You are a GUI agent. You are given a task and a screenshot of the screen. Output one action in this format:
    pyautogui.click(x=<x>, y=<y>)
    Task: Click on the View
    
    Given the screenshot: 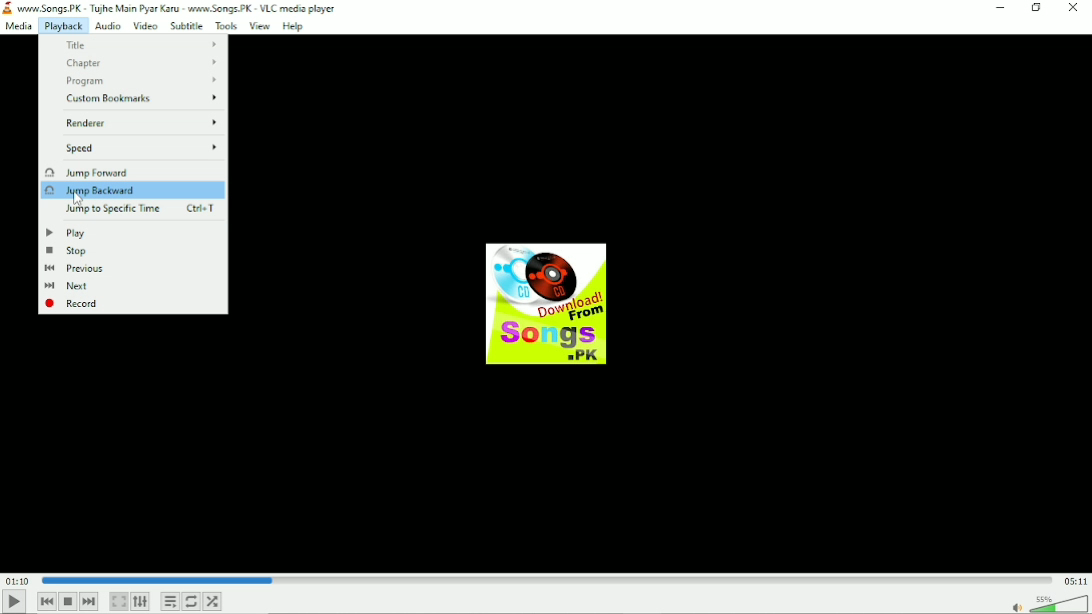 What is the action you would take?
    pyautogui.click(x=259, y=26)
    